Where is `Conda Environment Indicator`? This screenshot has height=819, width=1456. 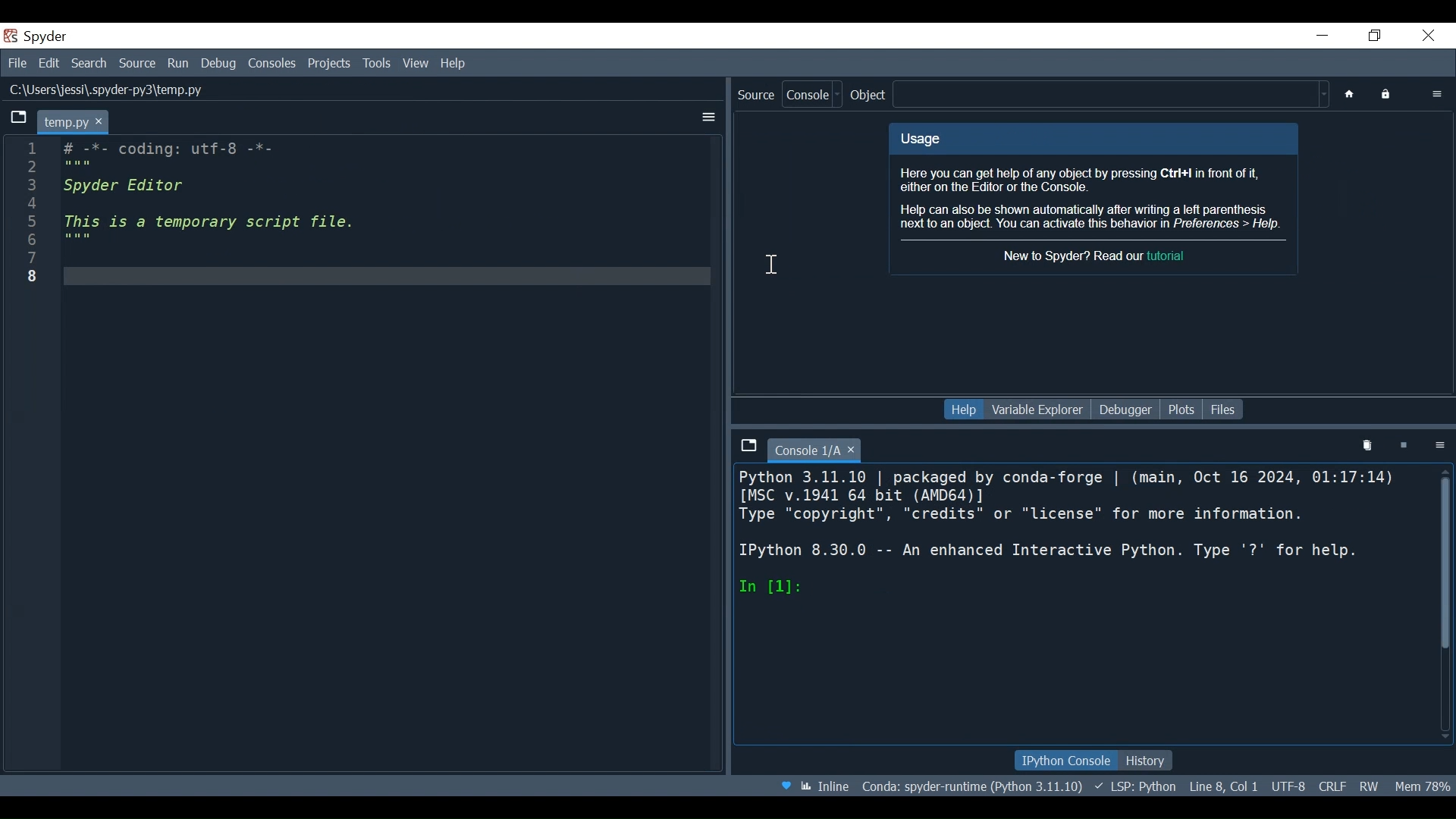 Conda Environment Indicator is located at coordinates (971, 786).